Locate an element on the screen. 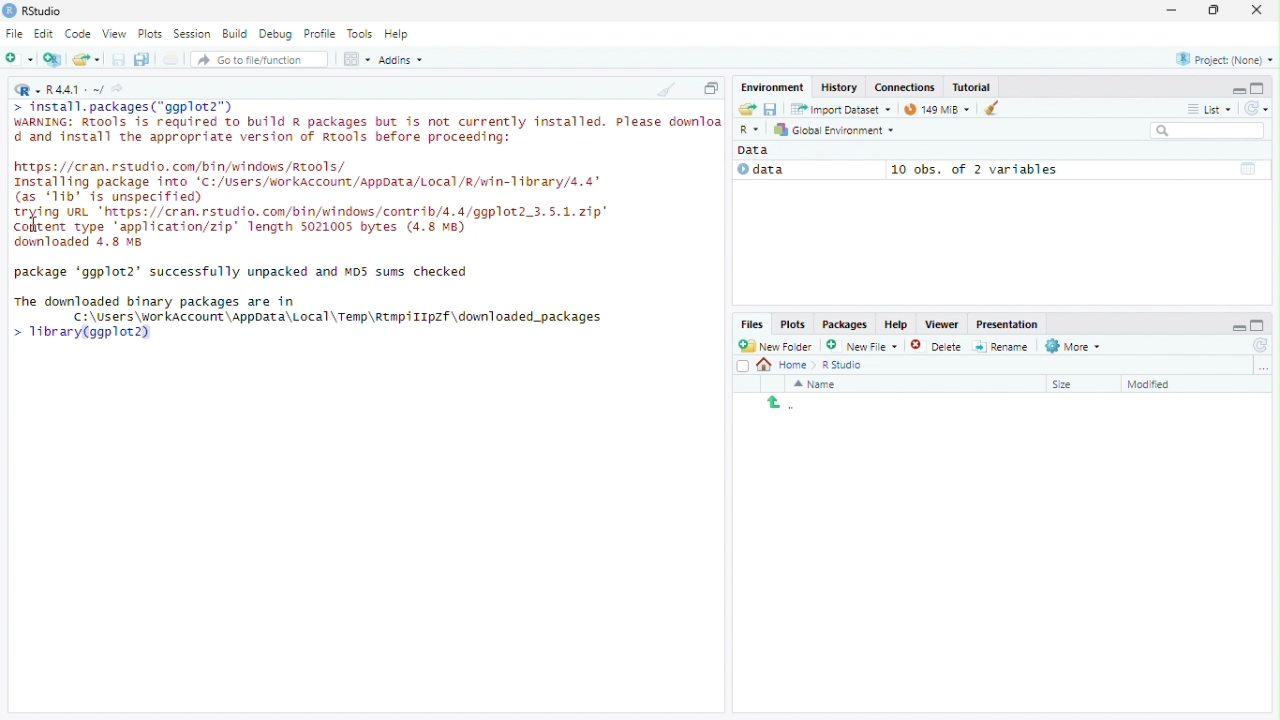  R language version - R 4.4.1 is located at coordinates (75, 88).